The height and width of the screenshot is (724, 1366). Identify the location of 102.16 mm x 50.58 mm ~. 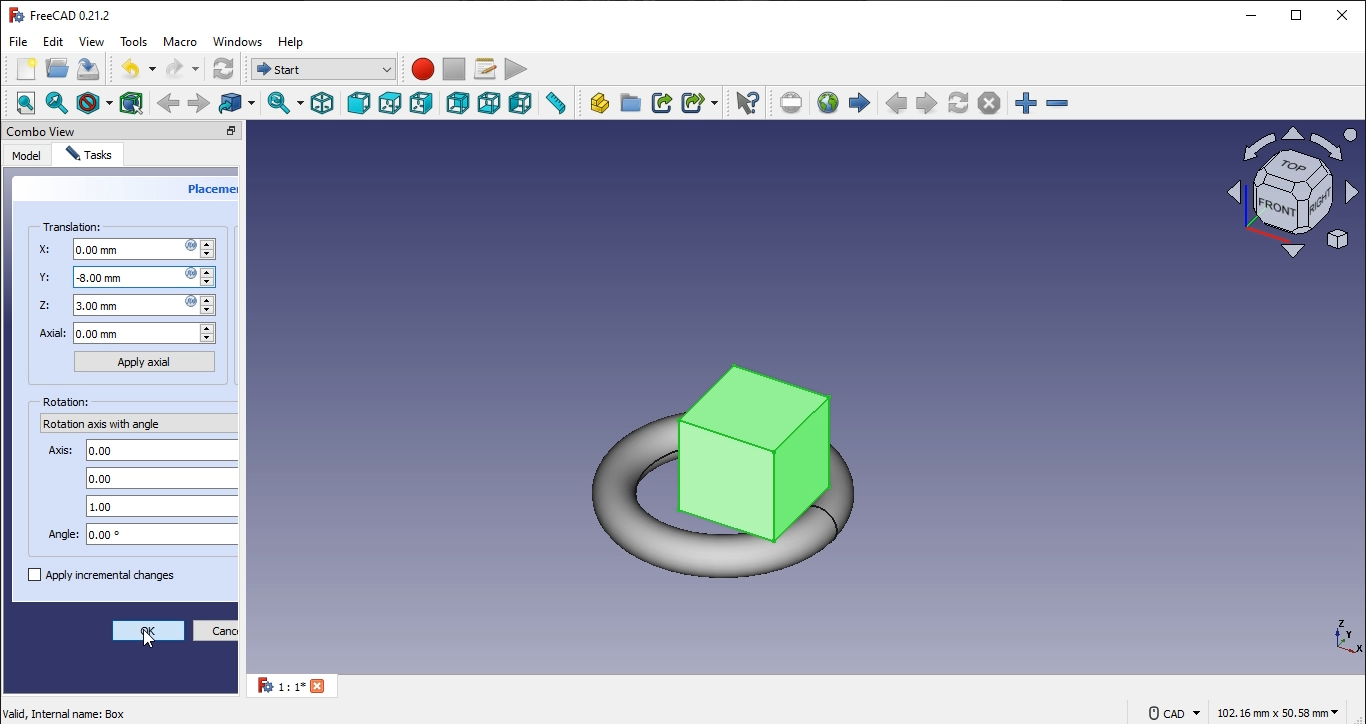
(1276, 712).